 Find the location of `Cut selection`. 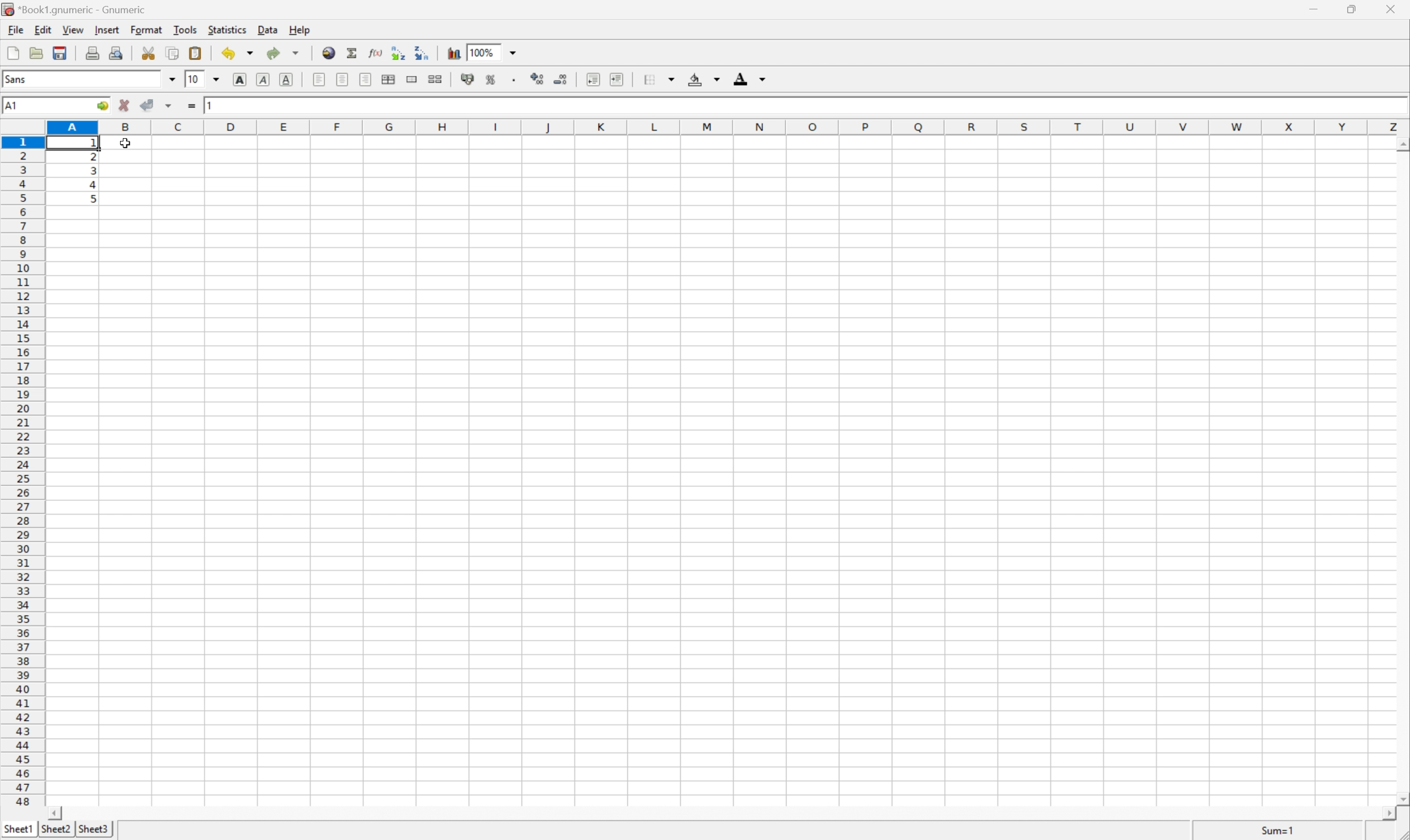

Cut selection is located at coordinates (147, 52).